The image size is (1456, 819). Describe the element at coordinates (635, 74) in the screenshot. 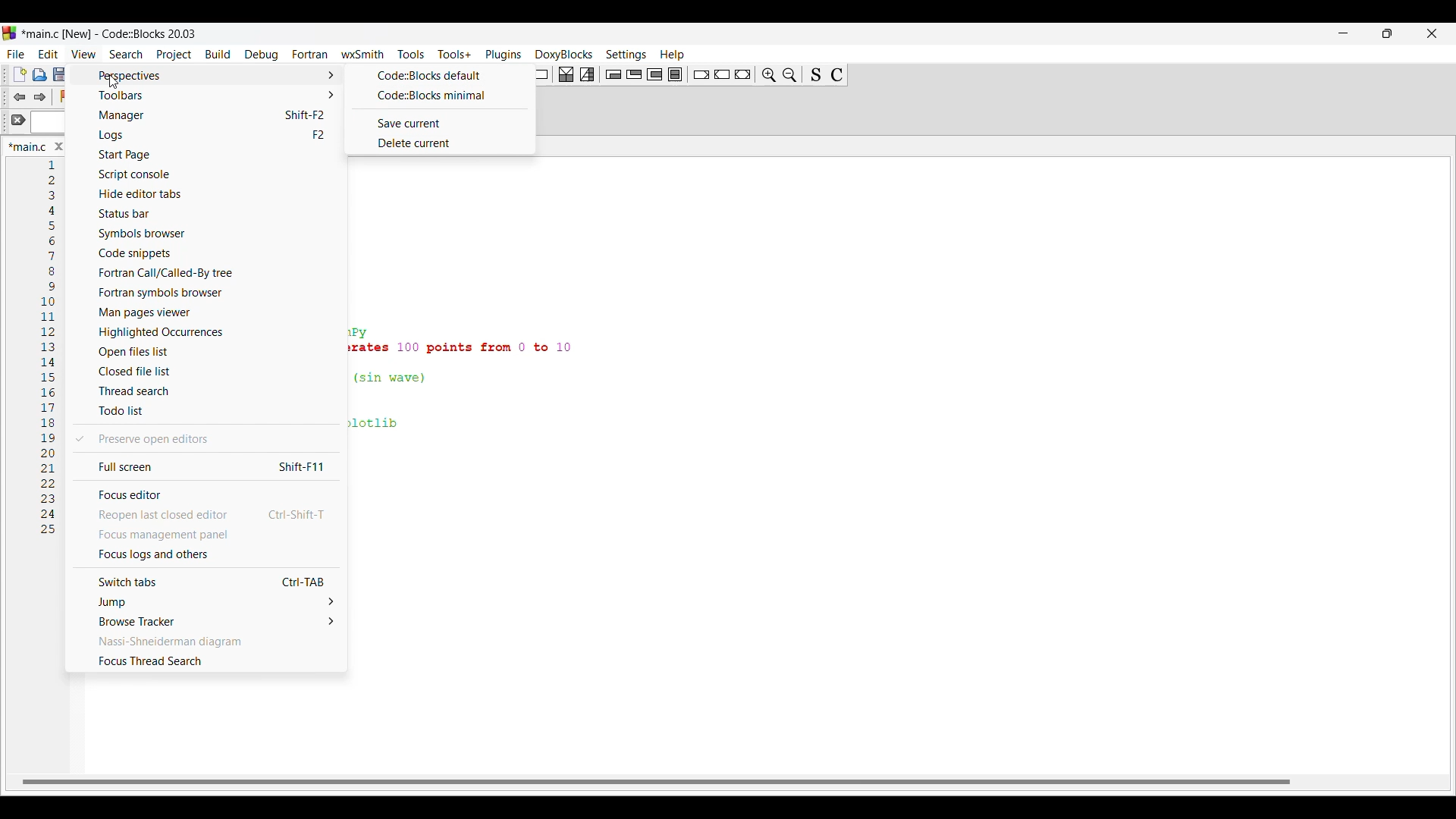

I see `Exit condition loop` at that location.